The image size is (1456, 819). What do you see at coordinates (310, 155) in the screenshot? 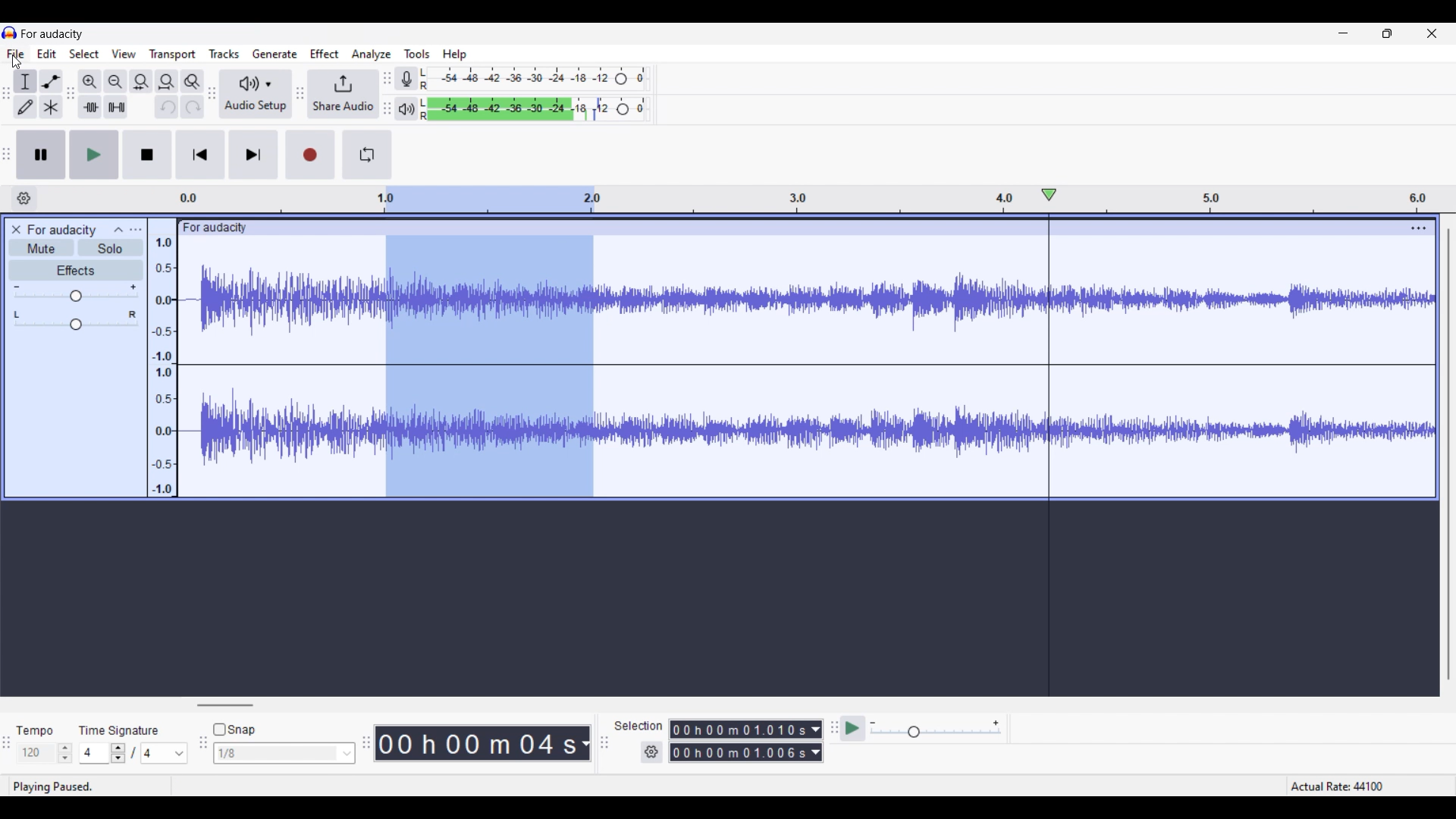
I see `Record/Record new track` at bounding box center [310, 155].